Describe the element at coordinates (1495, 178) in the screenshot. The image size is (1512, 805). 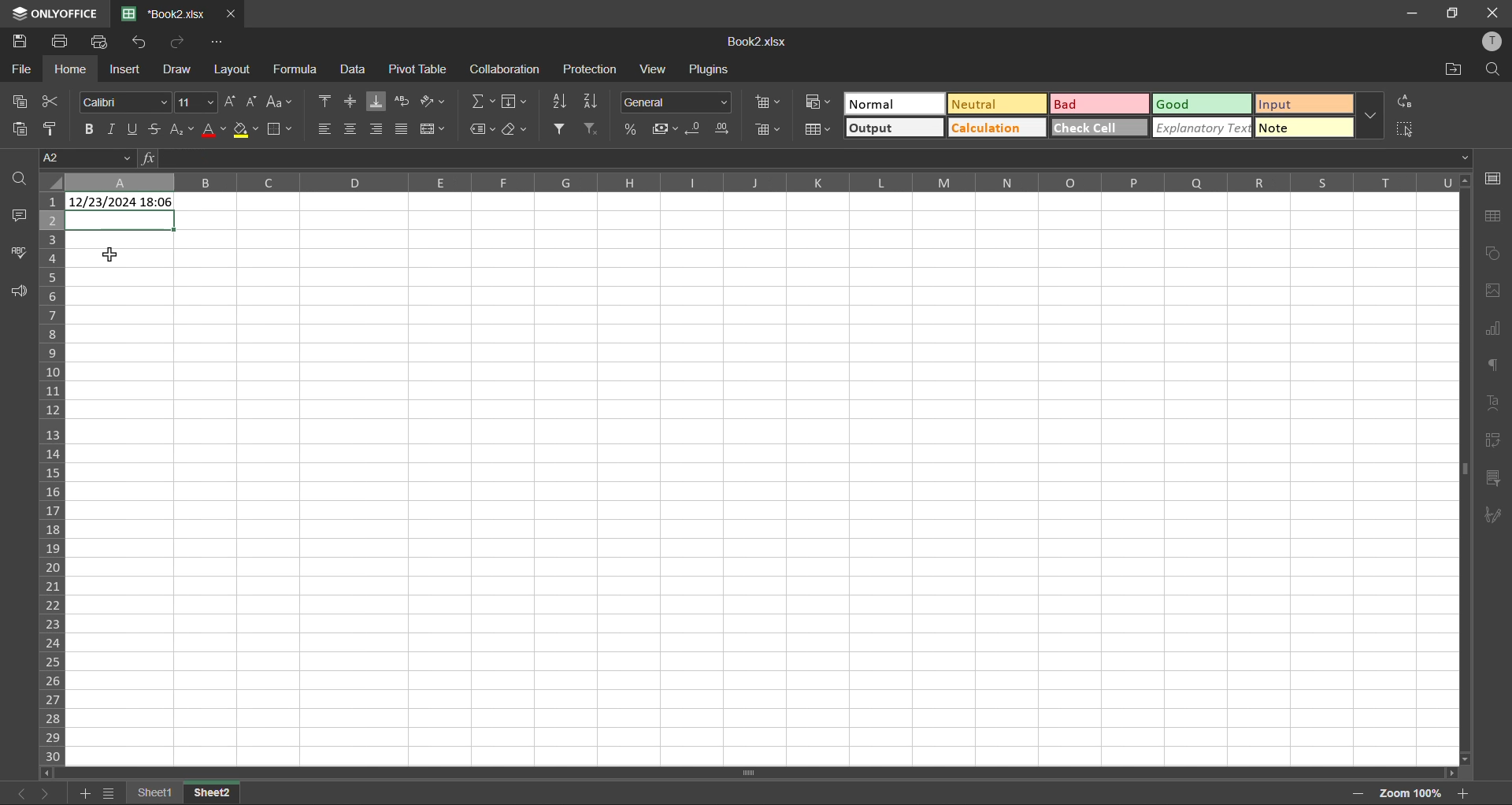
I see `cell settings` at that location.